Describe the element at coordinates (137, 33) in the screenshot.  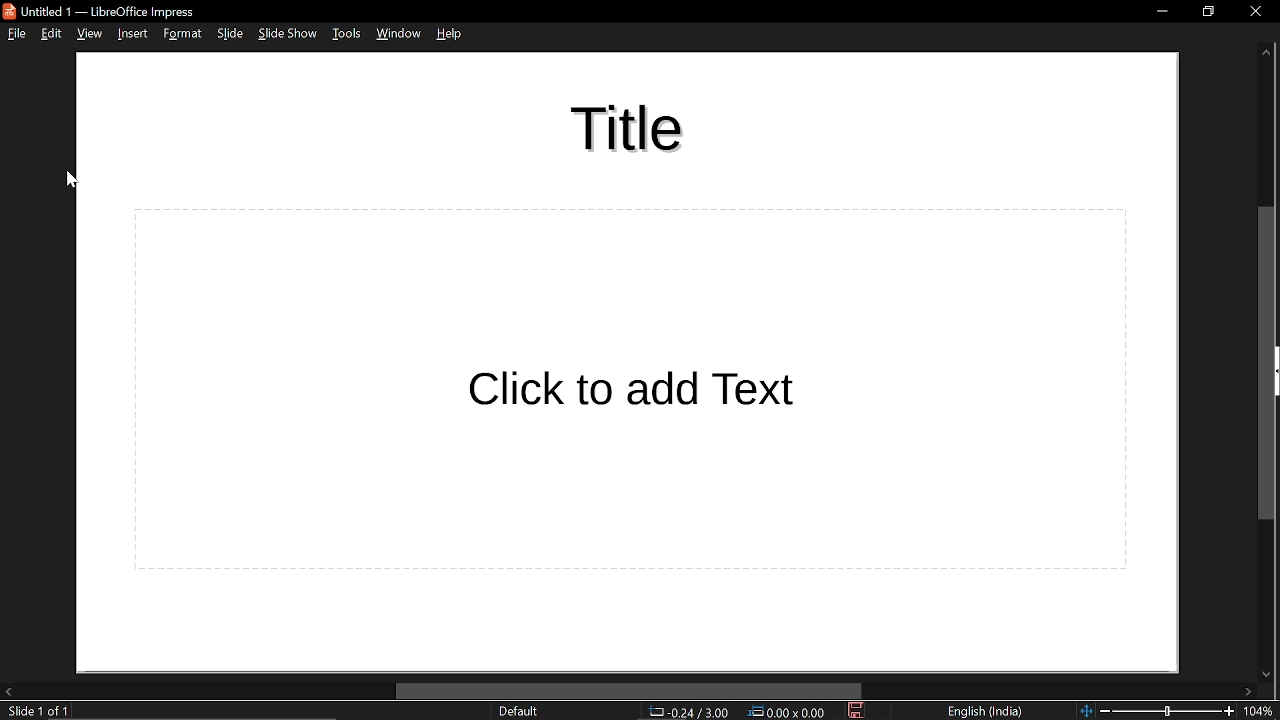
I see `insert` at that location.